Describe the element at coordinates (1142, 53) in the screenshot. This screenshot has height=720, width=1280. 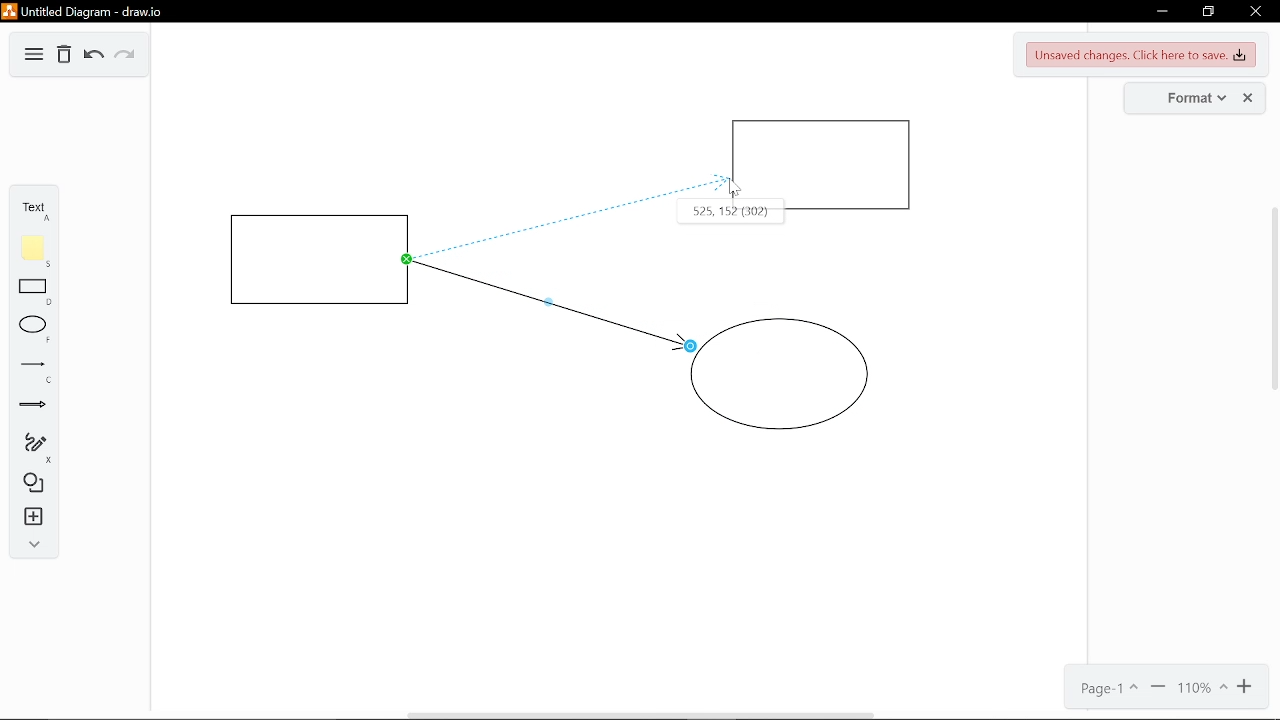
I see `Unsaved changes. Click here to save` at that location.